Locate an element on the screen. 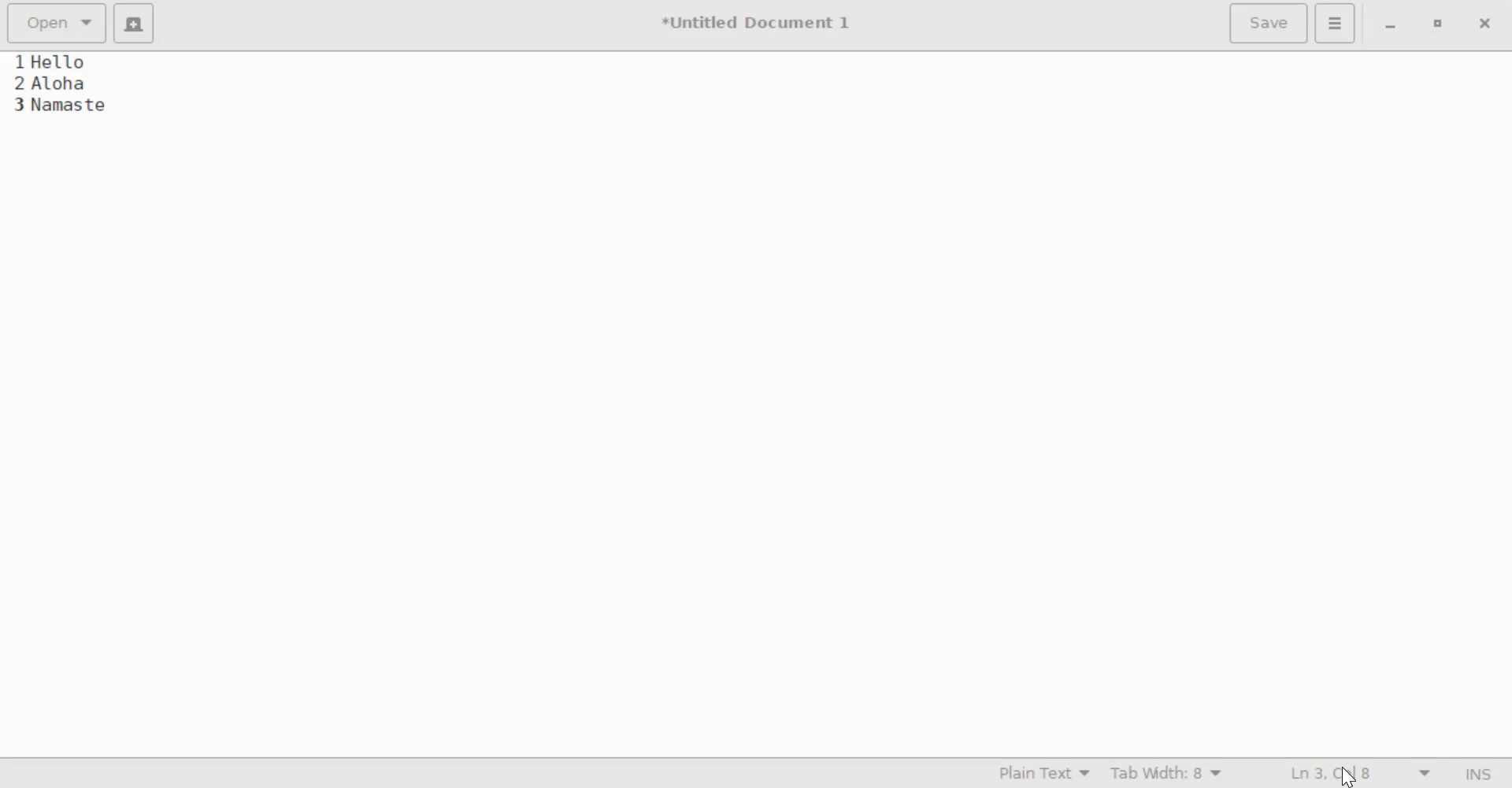 The height and width of the screenshot is (788, 1512). maximize is located at coordinates (1437, 24).